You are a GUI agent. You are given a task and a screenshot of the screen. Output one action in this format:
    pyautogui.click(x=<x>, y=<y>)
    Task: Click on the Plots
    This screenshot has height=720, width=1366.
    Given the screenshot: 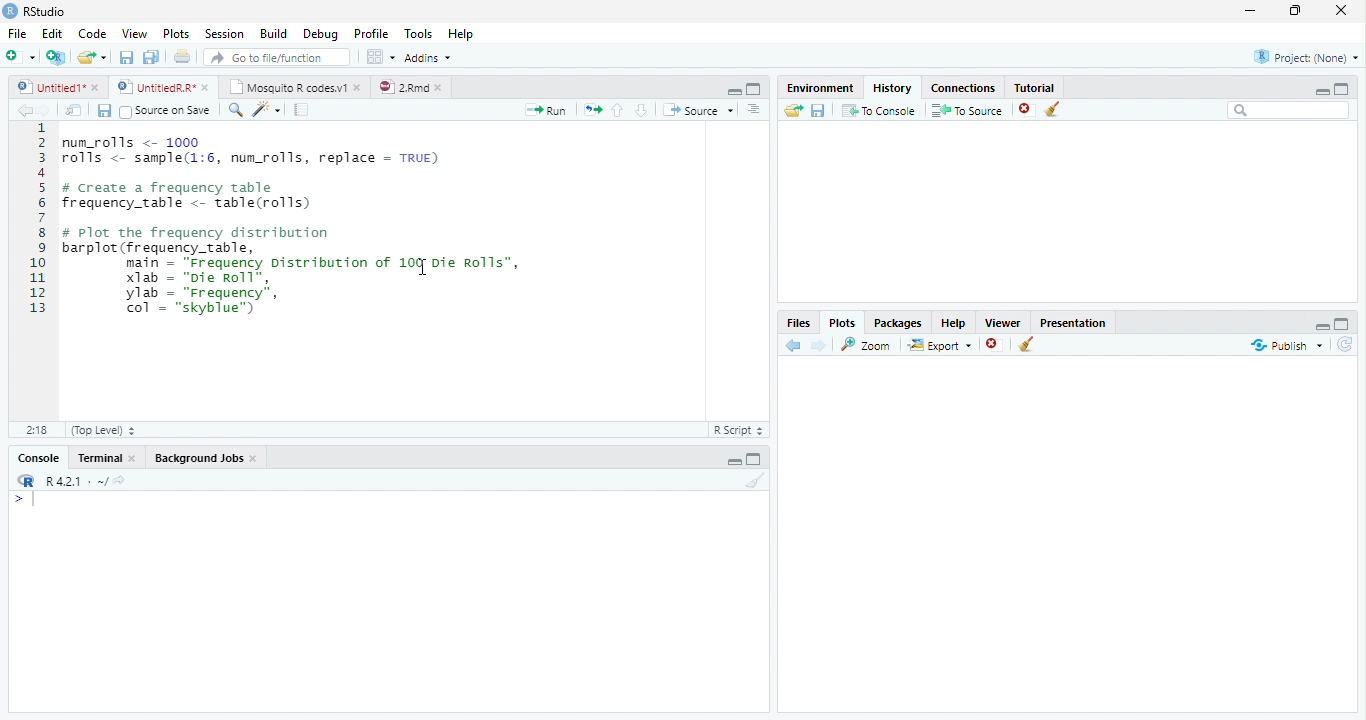 What is the action you would take?
    pyautogui.click(x=843, y=321)
    